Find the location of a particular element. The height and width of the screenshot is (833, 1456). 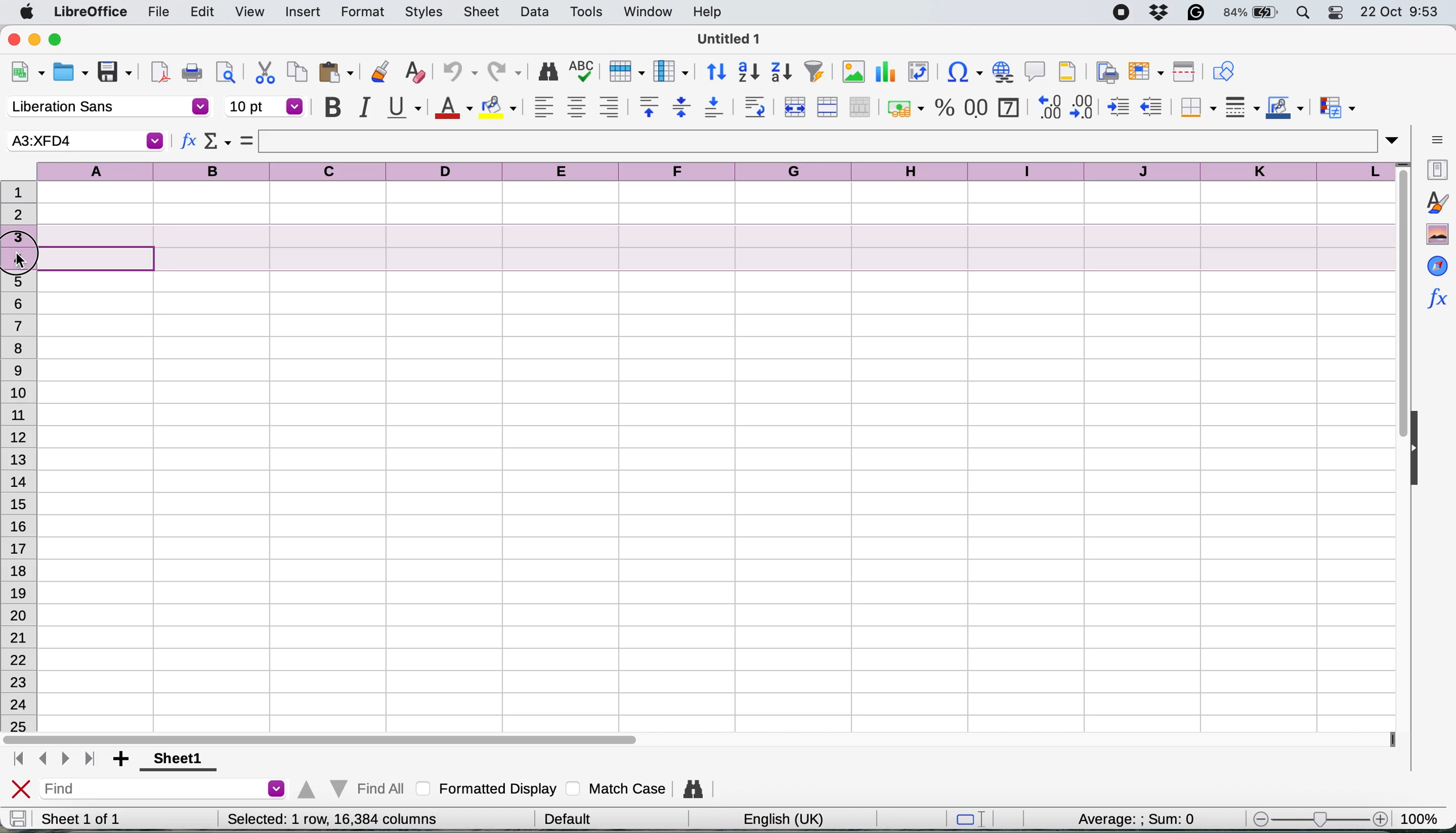

decrease indent is located at coordinates (1153, 106).